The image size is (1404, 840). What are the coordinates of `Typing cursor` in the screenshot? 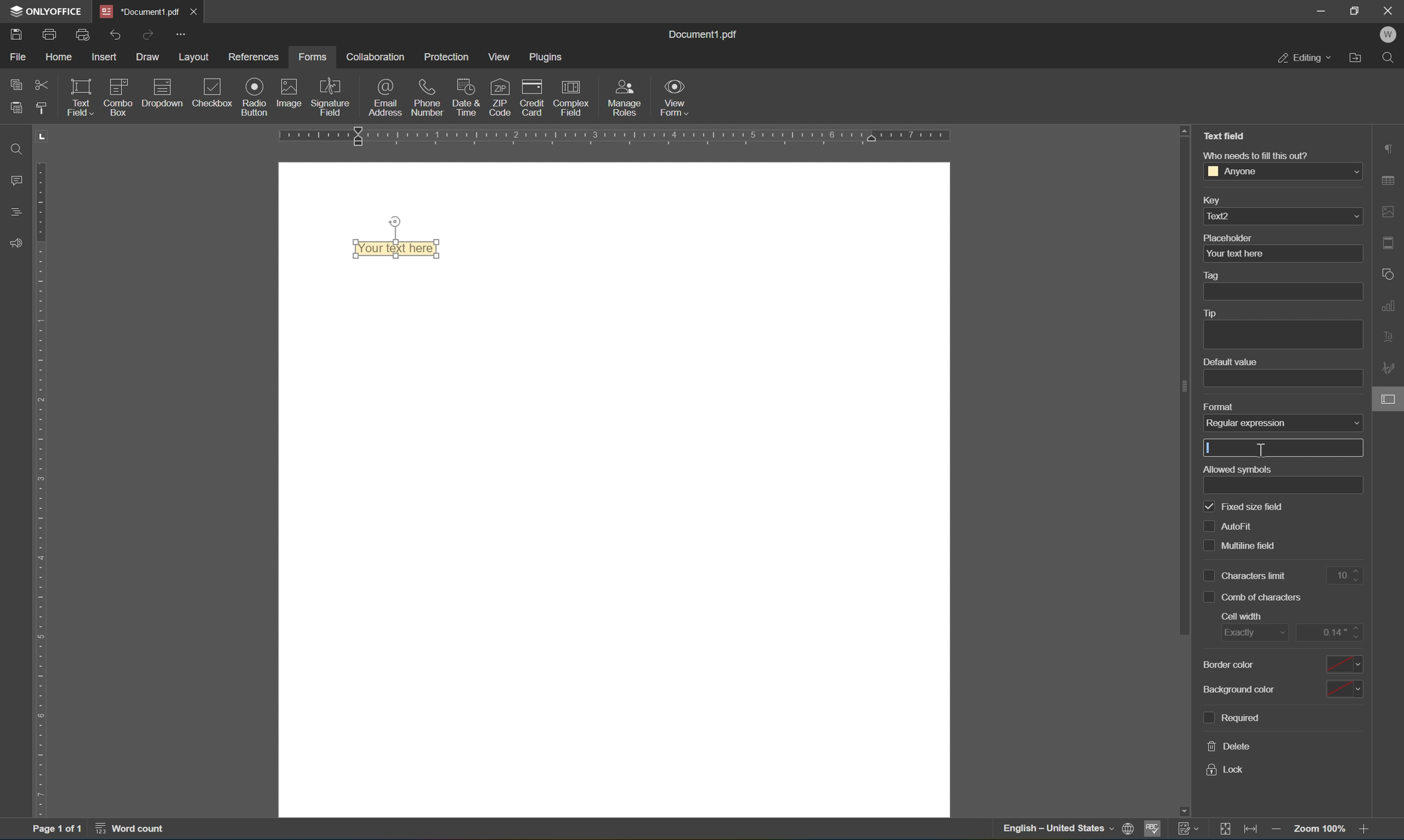 It's located at (1209, 448).